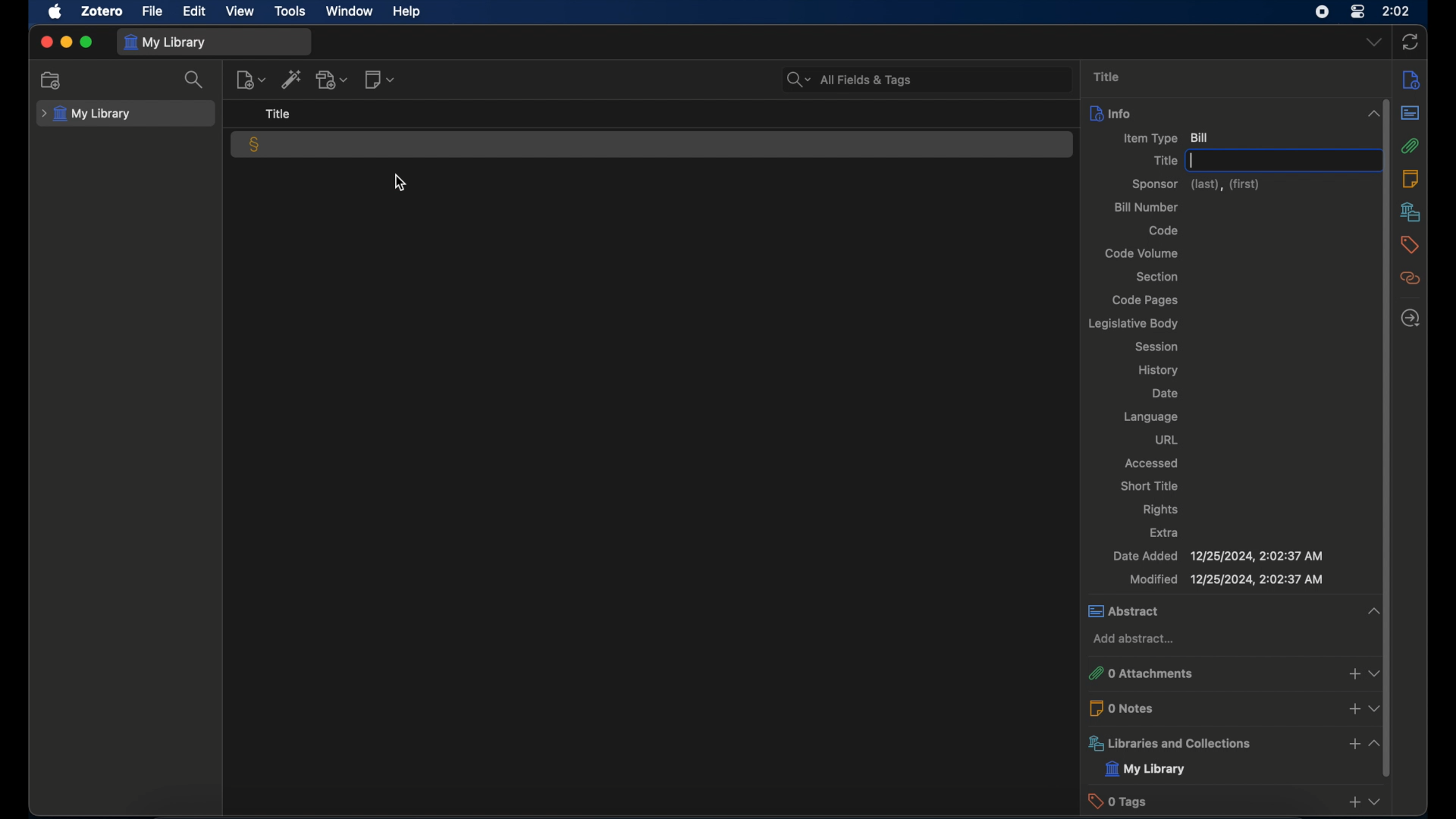  I want to click on related, so click(1409, 278).